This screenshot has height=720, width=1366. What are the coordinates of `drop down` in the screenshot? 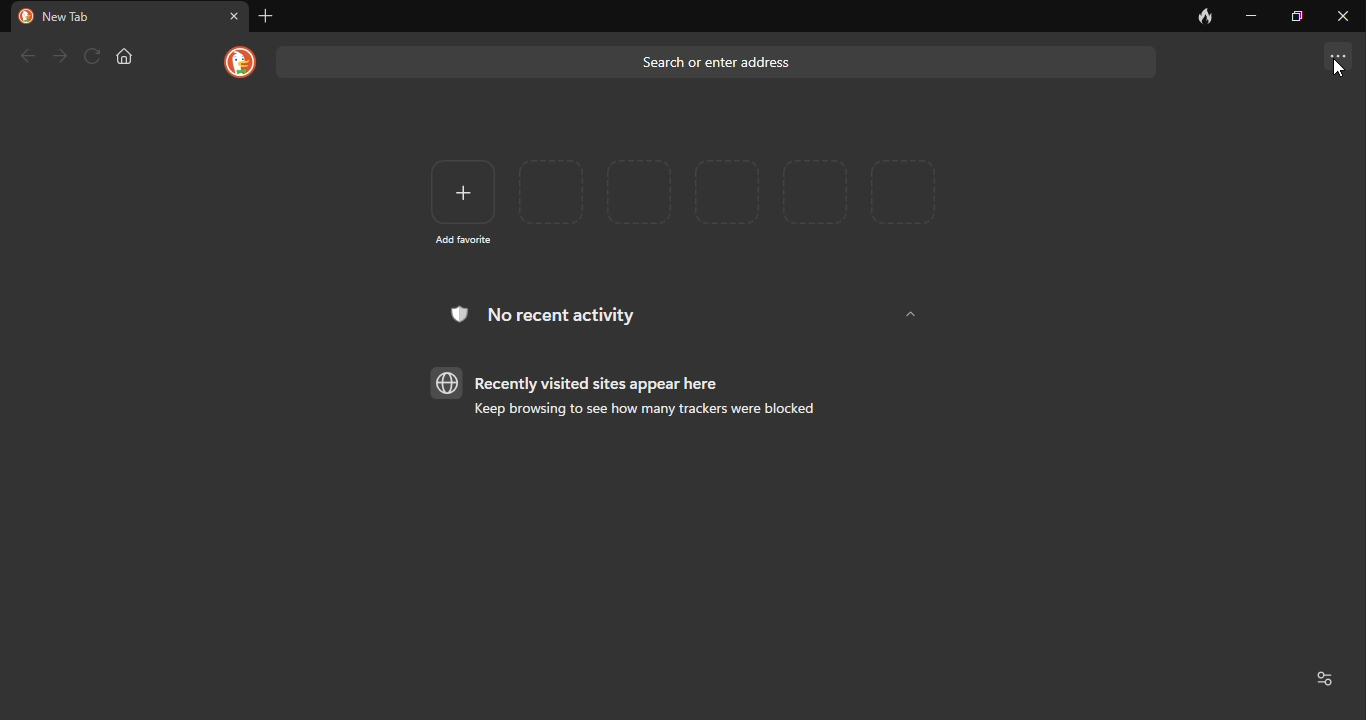 It's located at (911, 315).